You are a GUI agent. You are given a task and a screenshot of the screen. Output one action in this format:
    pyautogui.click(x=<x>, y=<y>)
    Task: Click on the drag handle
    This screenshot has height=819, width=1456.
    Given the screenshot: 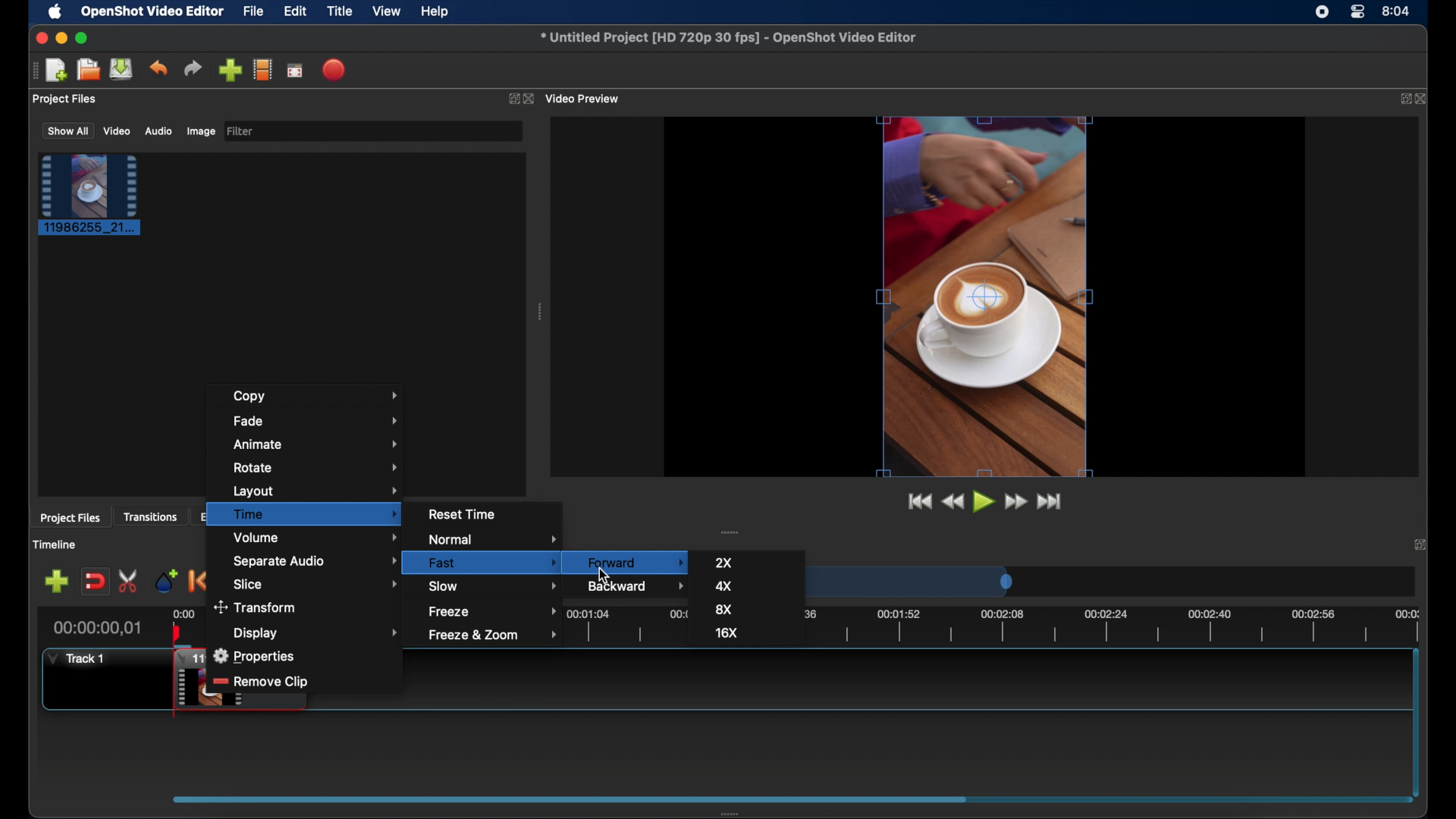 What is the action you would take?
    pyautogui.click(x=731, y=532)
    